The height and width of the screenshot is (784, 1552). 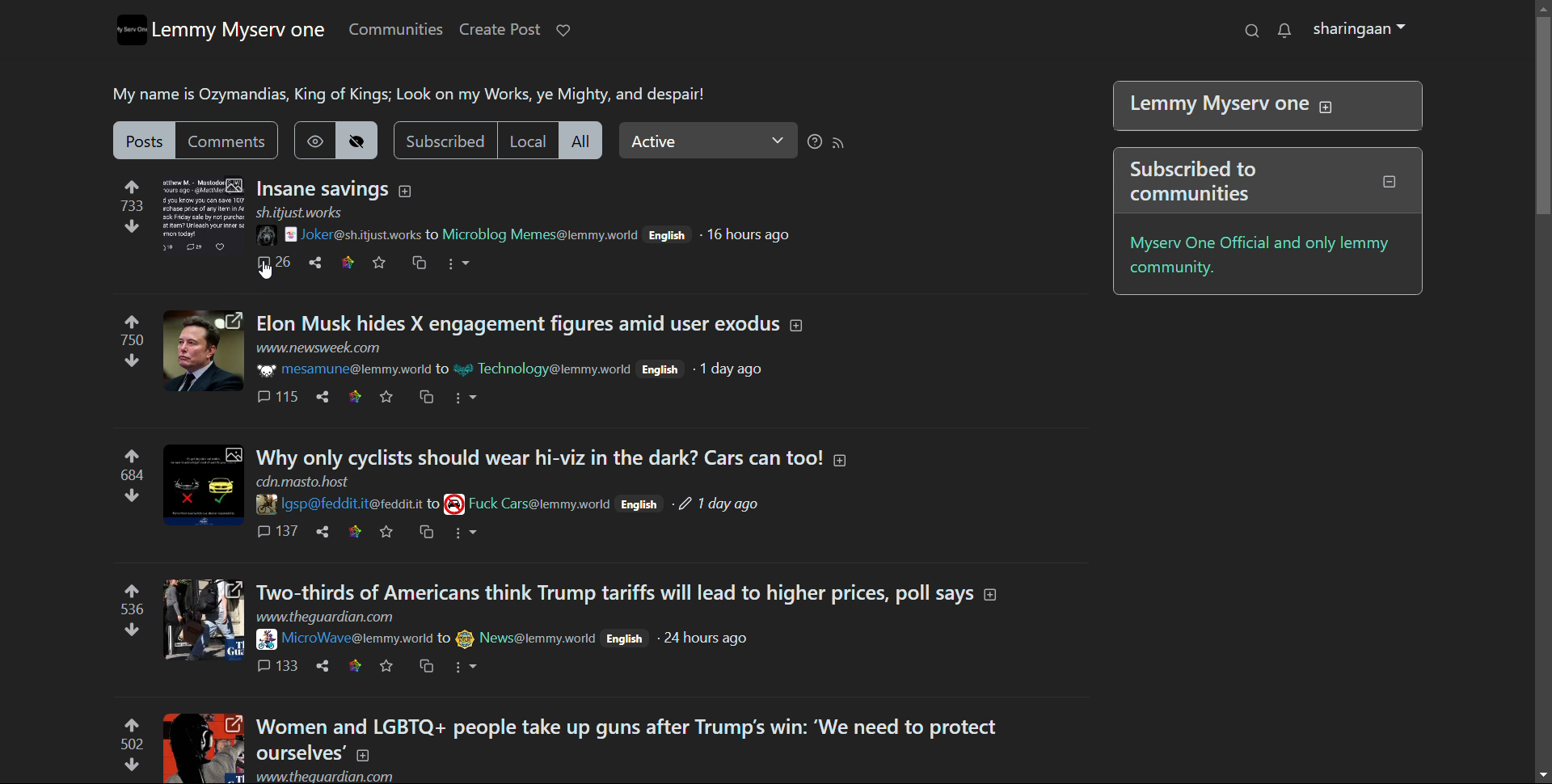 What do you see at coordinates (323, 190) in the screenshot?
I see `post title` at bounding box center [323, 190].